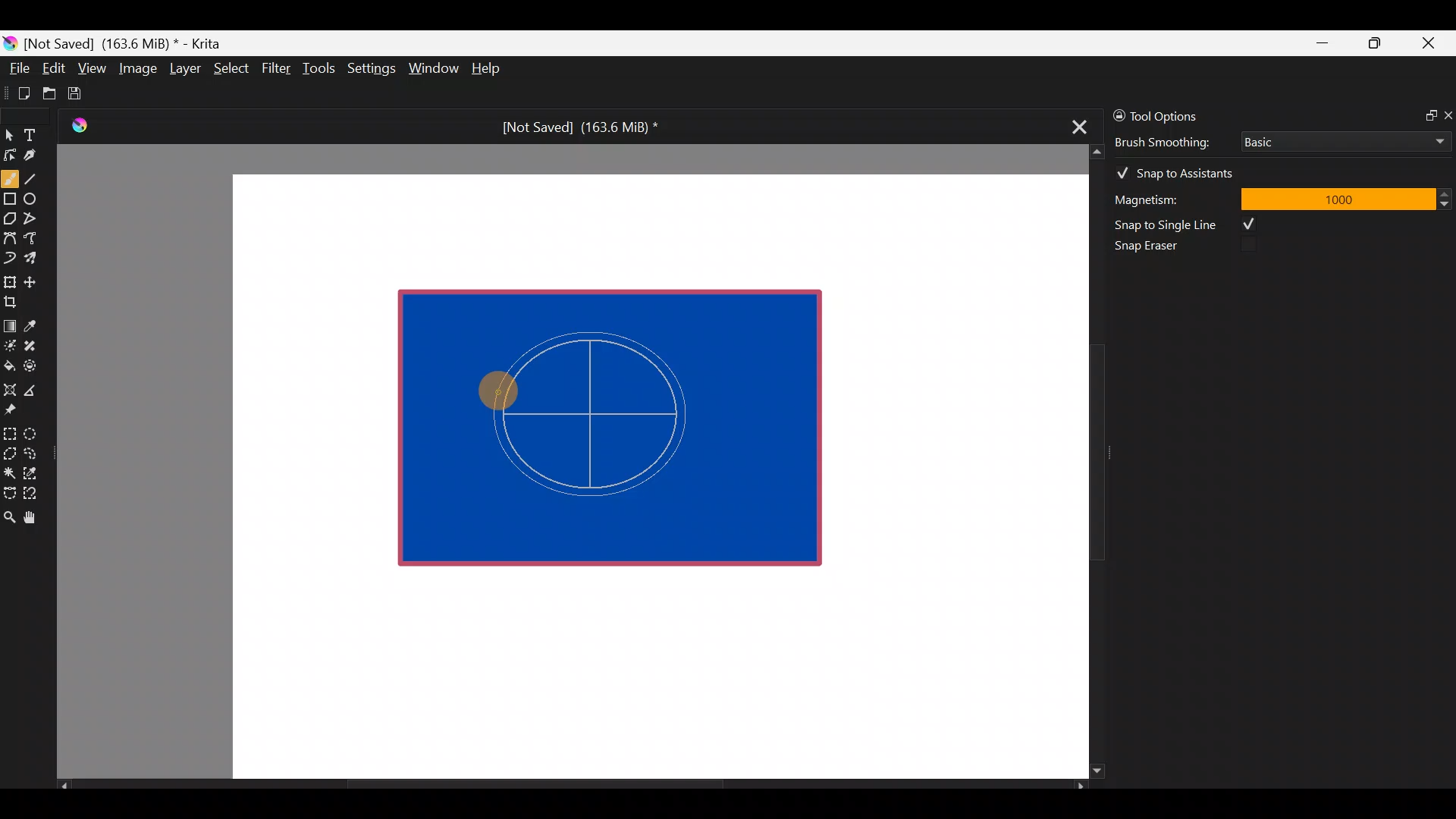  Describe the element at coordinates (130, 42) in the screenshot. I see `[Not Saved] (163.6 MiB) * - Krita` at that location.